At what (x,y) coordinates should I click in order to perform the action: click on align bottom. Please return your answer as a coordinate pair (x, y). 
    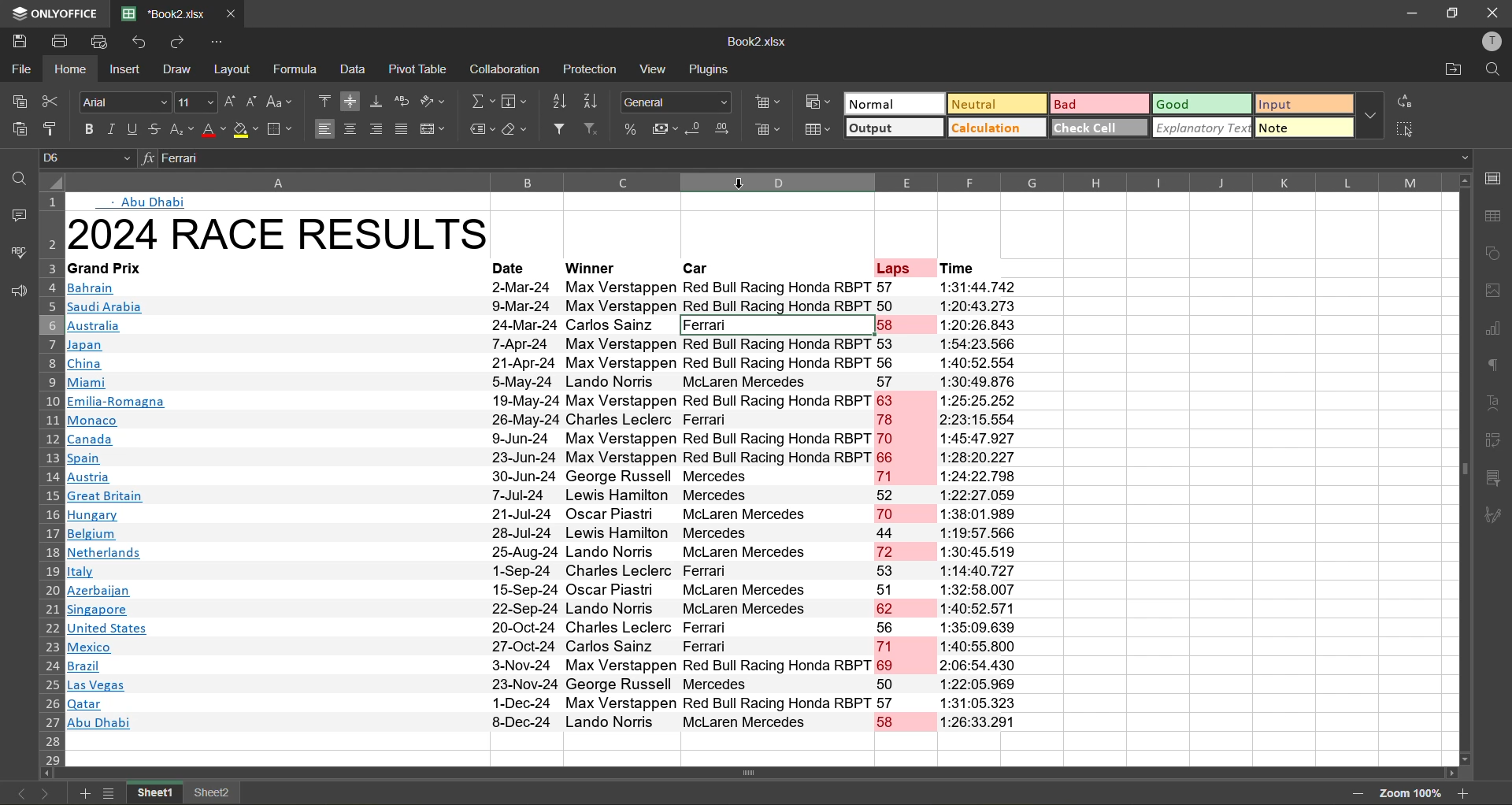
    Looking at the image, I should click on (377, 103).